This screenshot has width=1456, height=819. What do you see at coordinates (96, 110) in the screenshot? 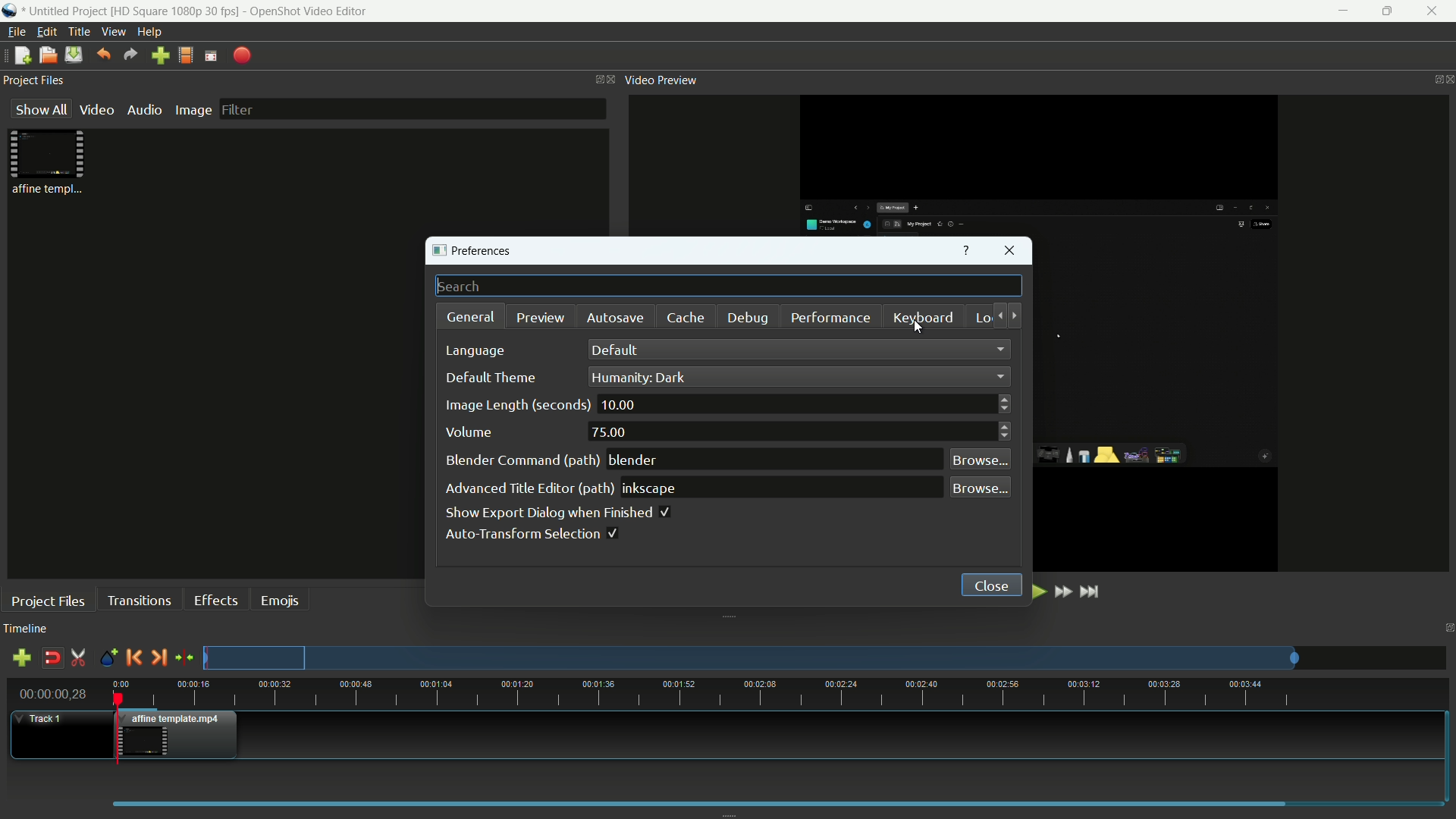
I see `video` at bounding box center [96, 110].